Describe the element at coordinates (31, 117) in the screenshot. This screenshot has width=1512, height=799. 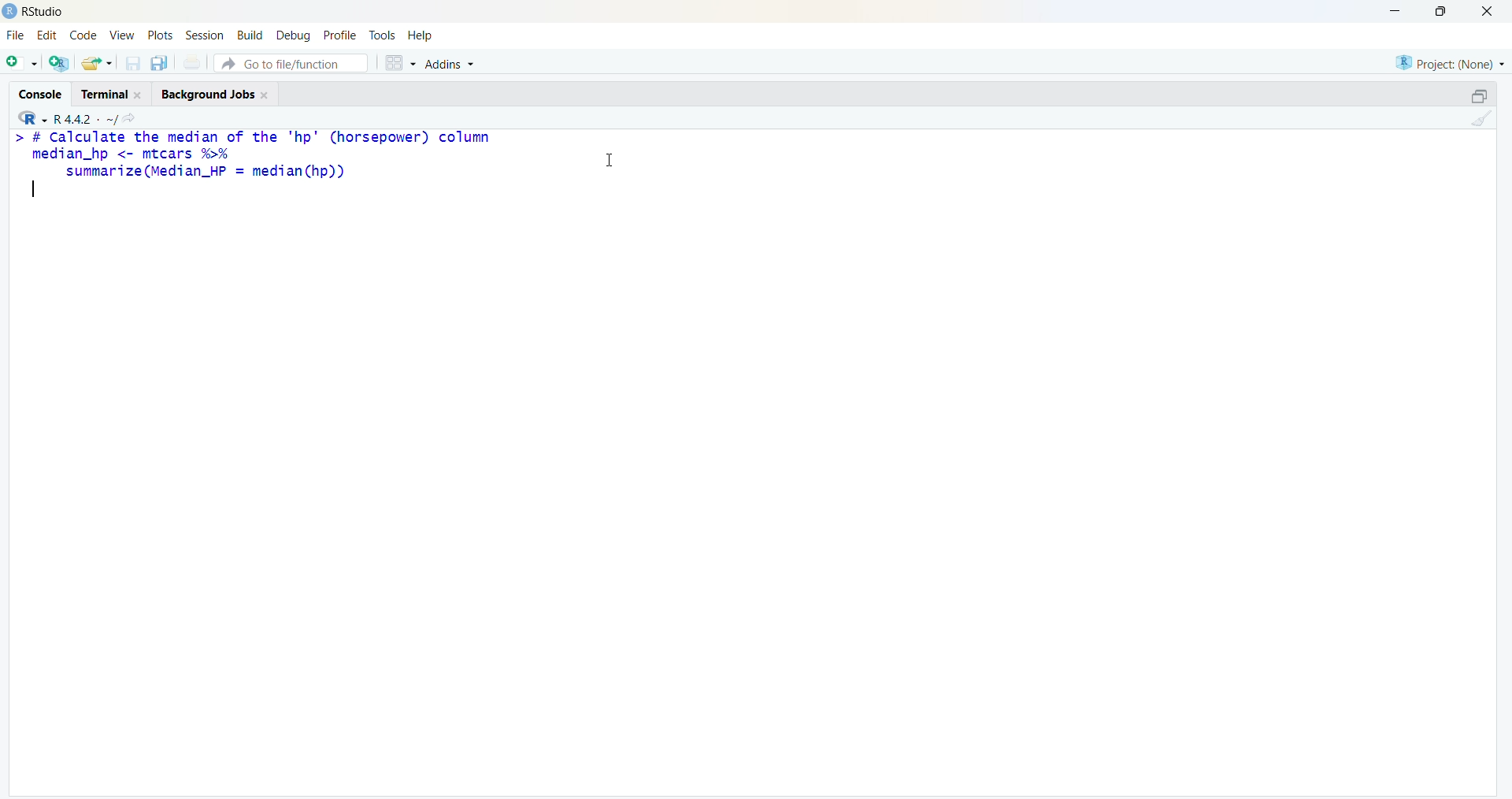
I see `R` at that location.